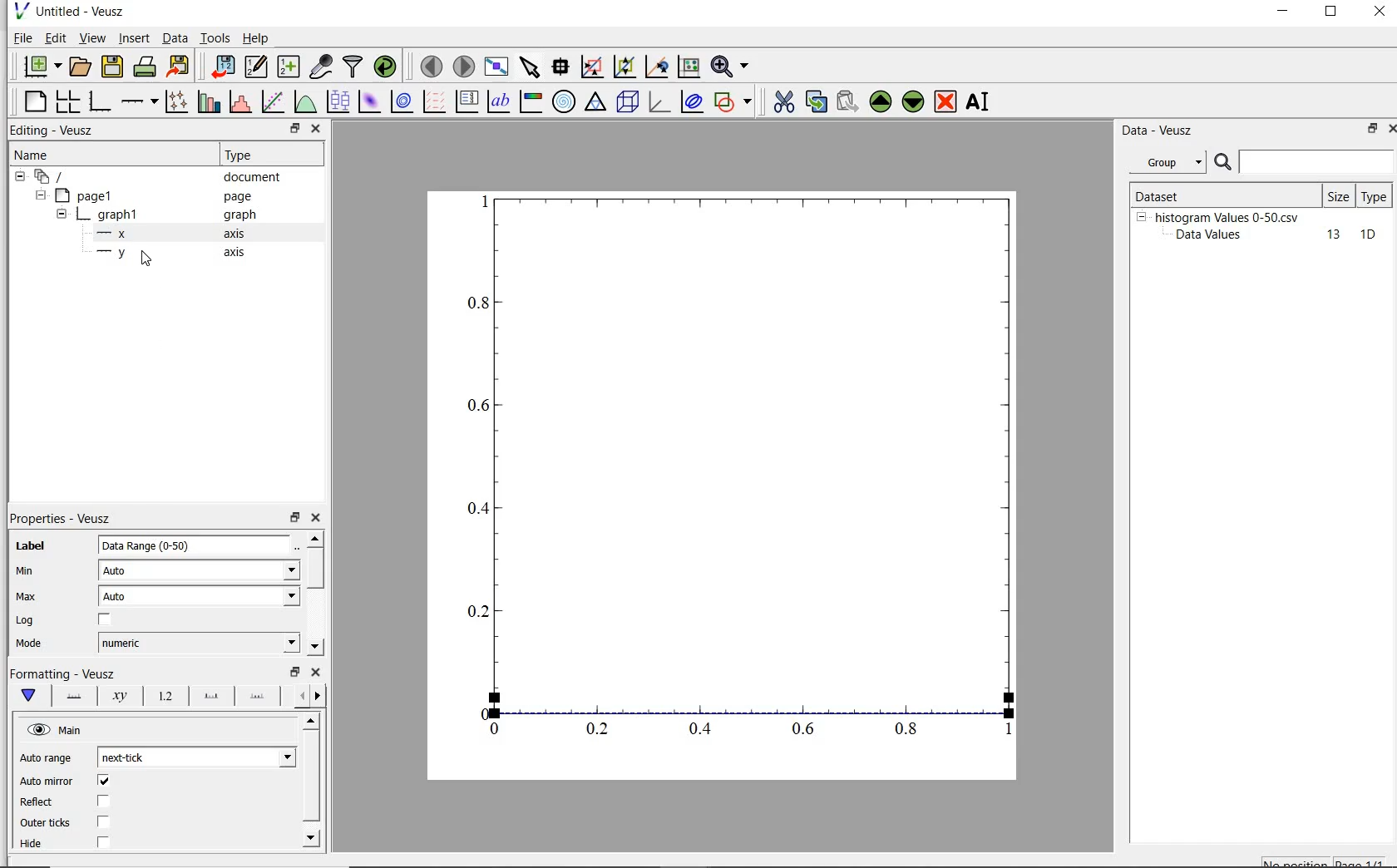 This screenshot has width=1397, height=868. What do you see at coordinates (41, 66) in the screenshot?
I see `new document` at bounding box center [41, 66].